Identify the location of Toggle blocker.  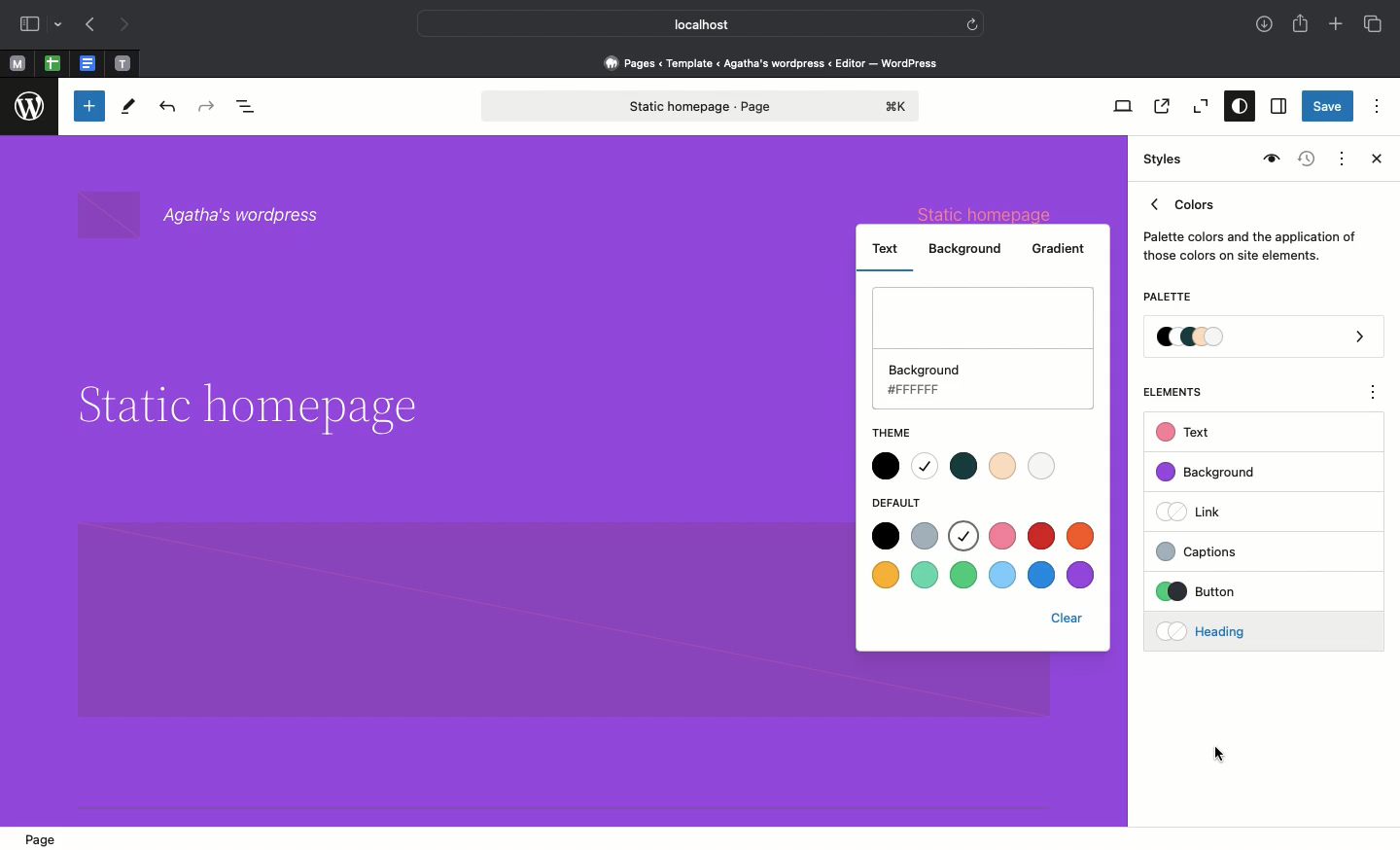
(89, 106).